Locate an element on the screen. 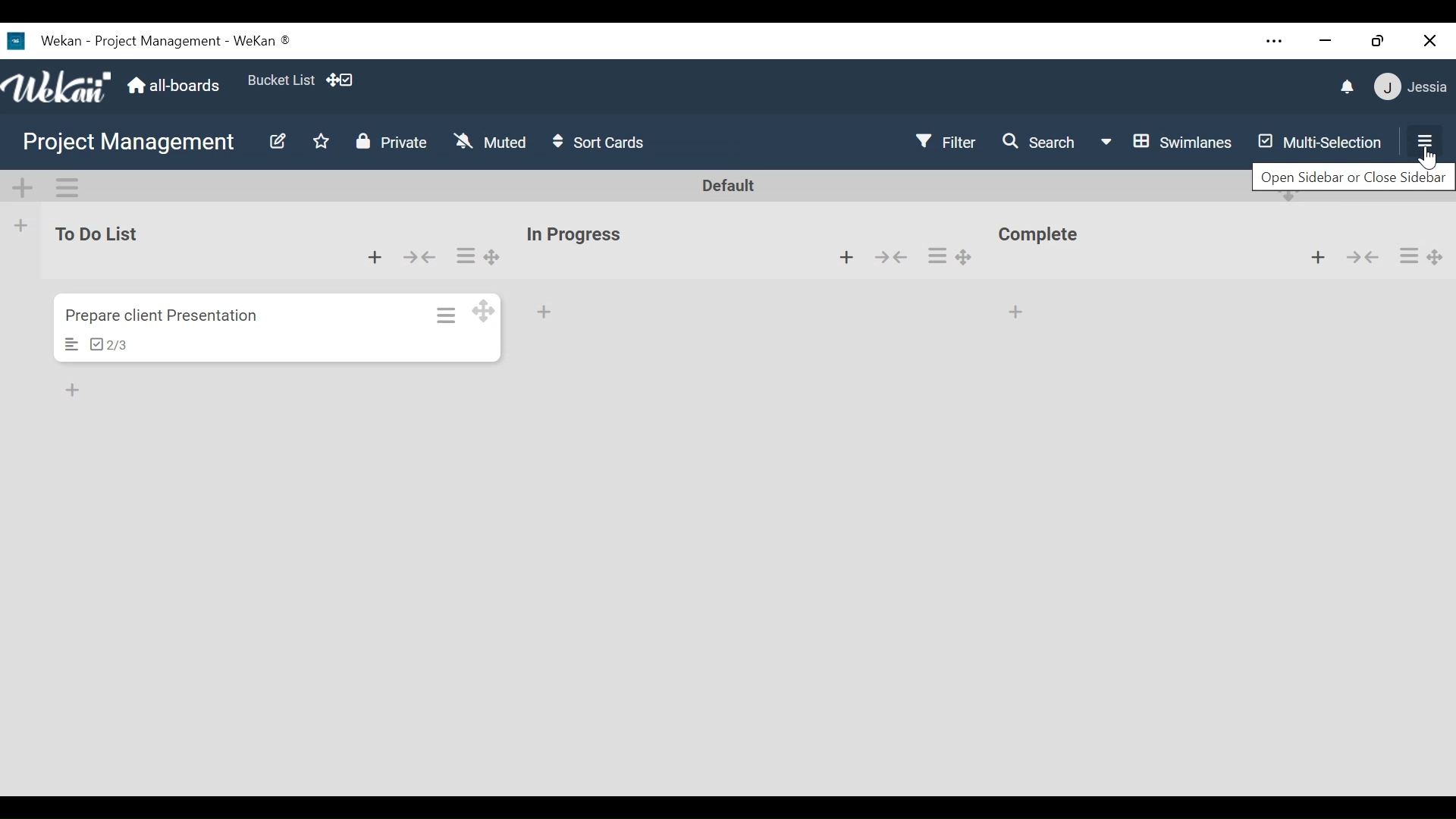 This screenshot has height=819, width=1456. Wekan Desktop icon is located at coordinates (147, 40).